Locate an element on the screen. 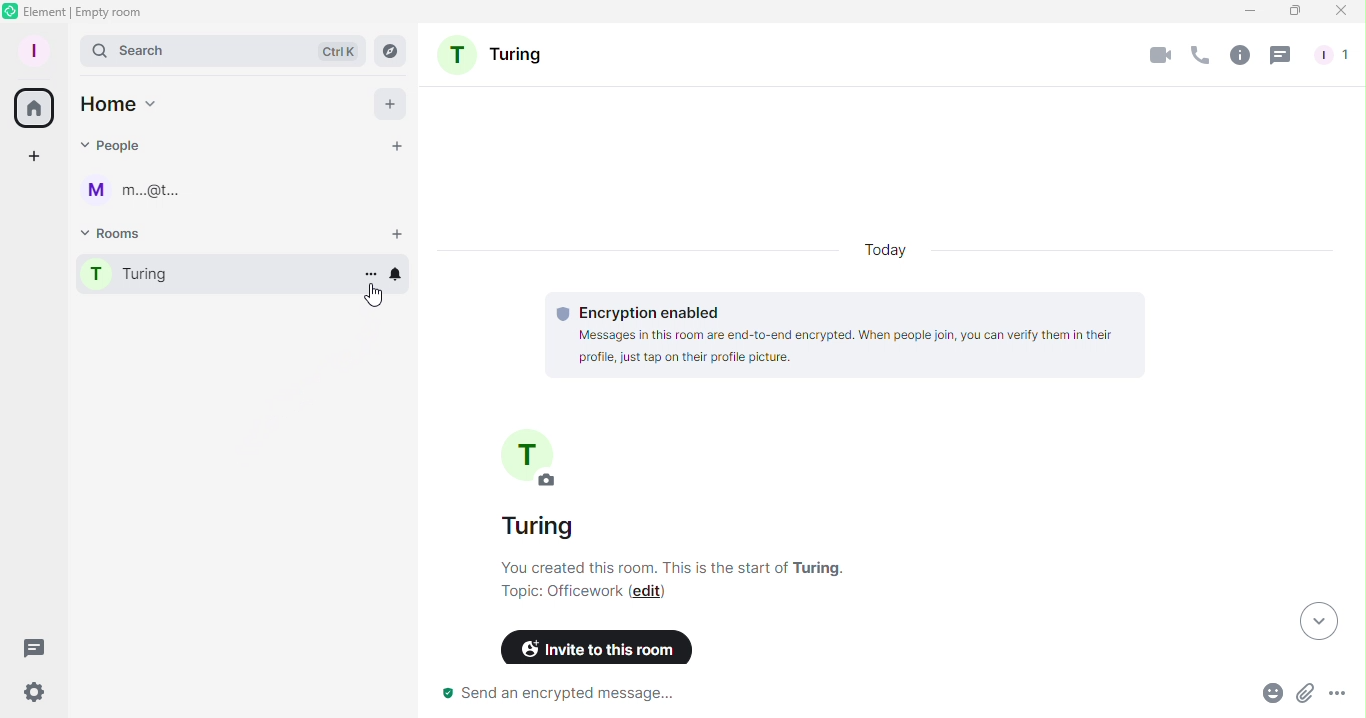 The width and height of the screenshot is (1366, 718). Search is located at coordinates (223, 50).